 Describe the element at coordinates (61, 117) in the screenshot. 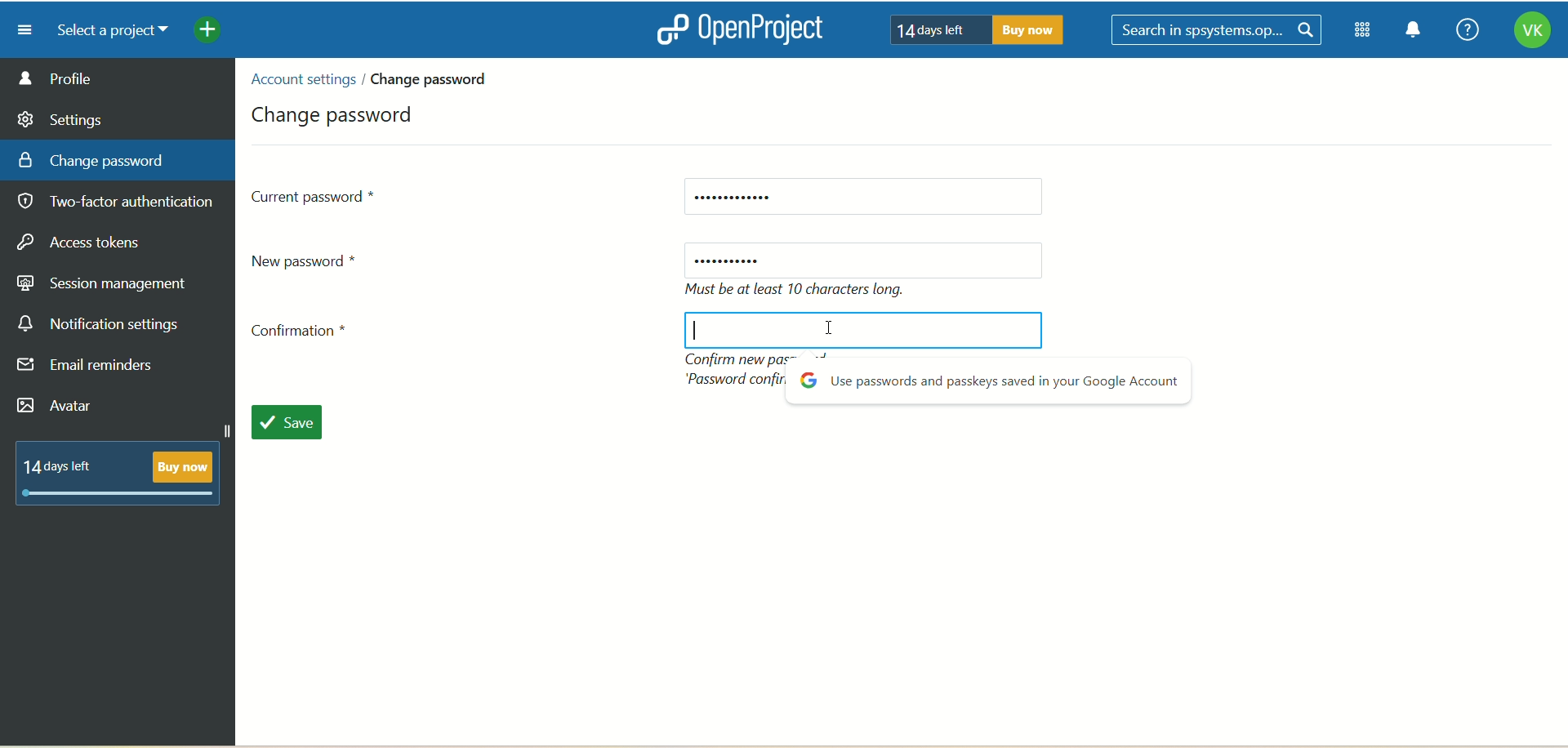

I see `settings` at that location.